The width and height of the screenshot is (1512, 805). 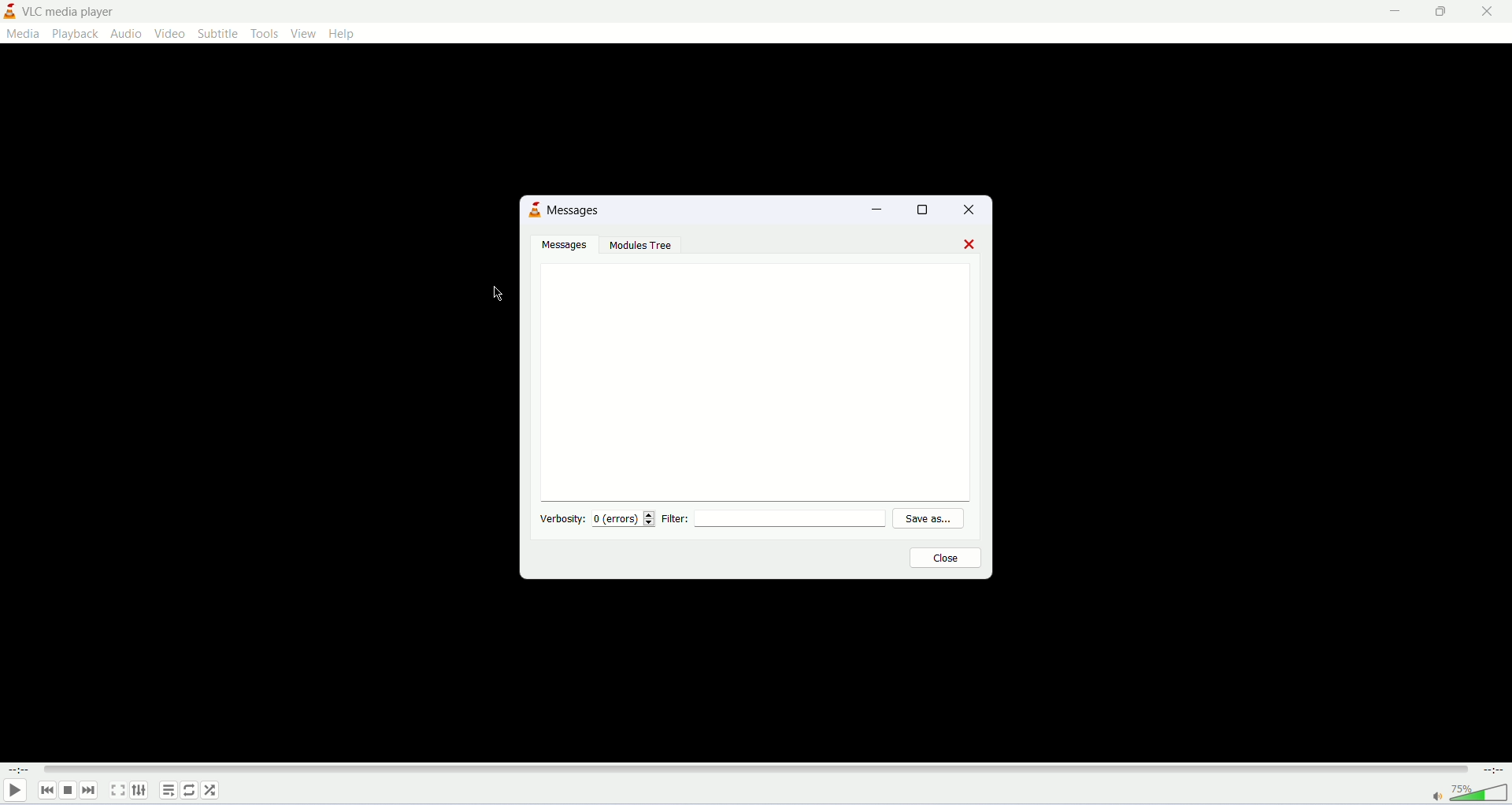 I want to click on mouse cursor, so click(x=495, y=293).